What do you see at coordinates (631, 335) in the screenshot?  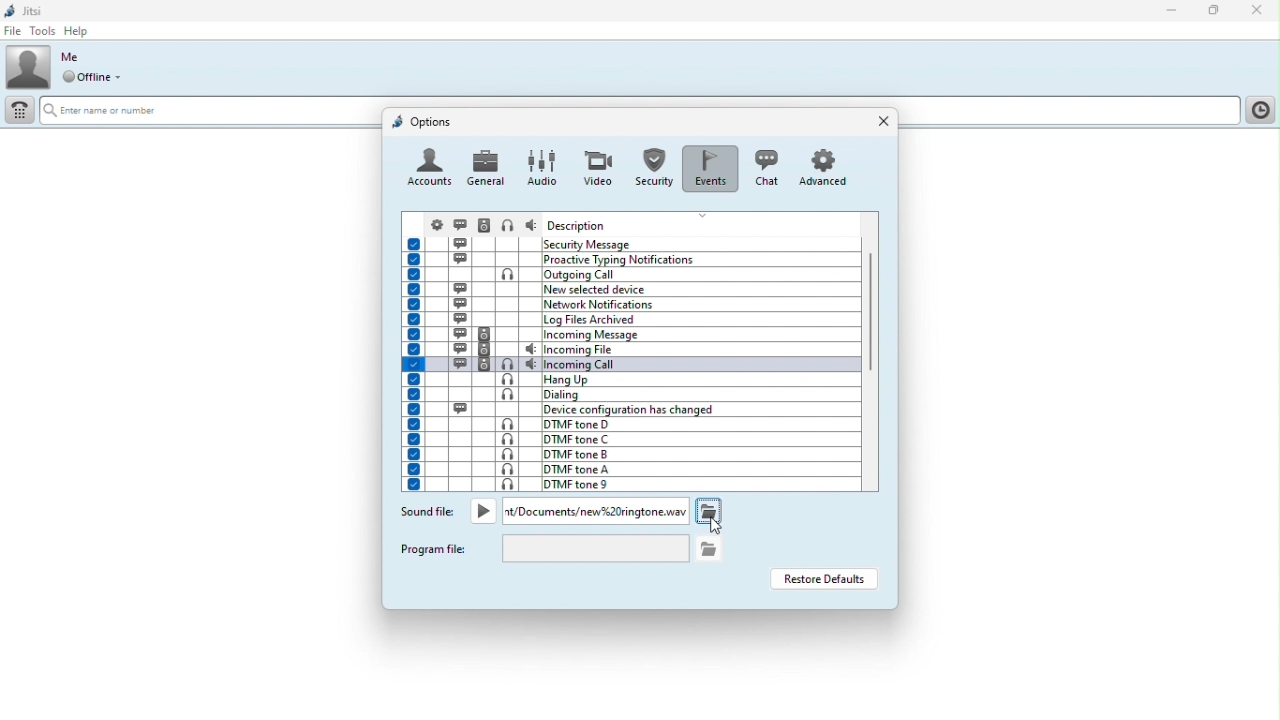 I see `incoming message ` at bounding box center [631, 335].